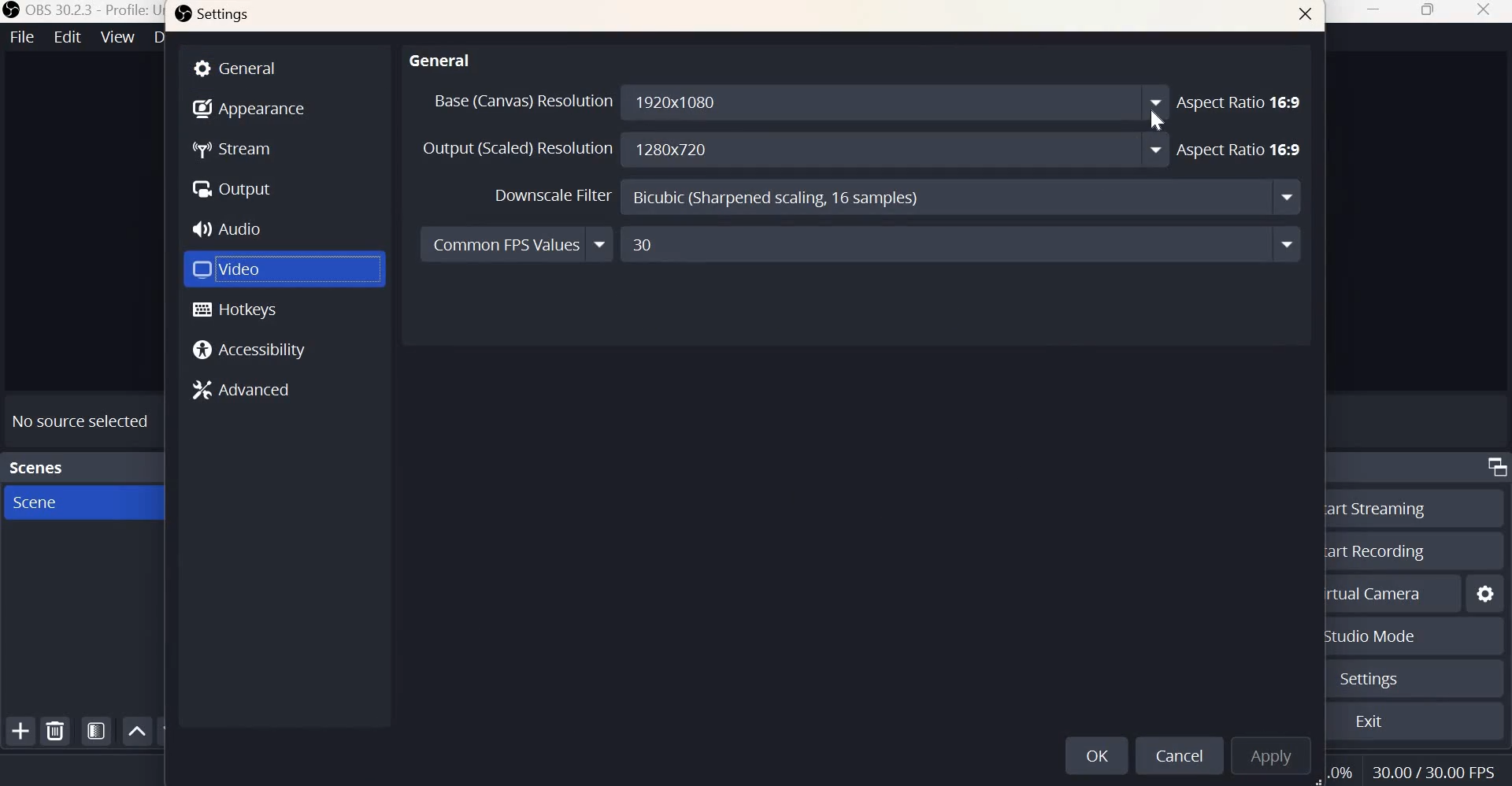  What do you see at coordinates (517, 150) in the screenshot?
I see `Output (scaled) Resolution` at bounding box center [517, 150].